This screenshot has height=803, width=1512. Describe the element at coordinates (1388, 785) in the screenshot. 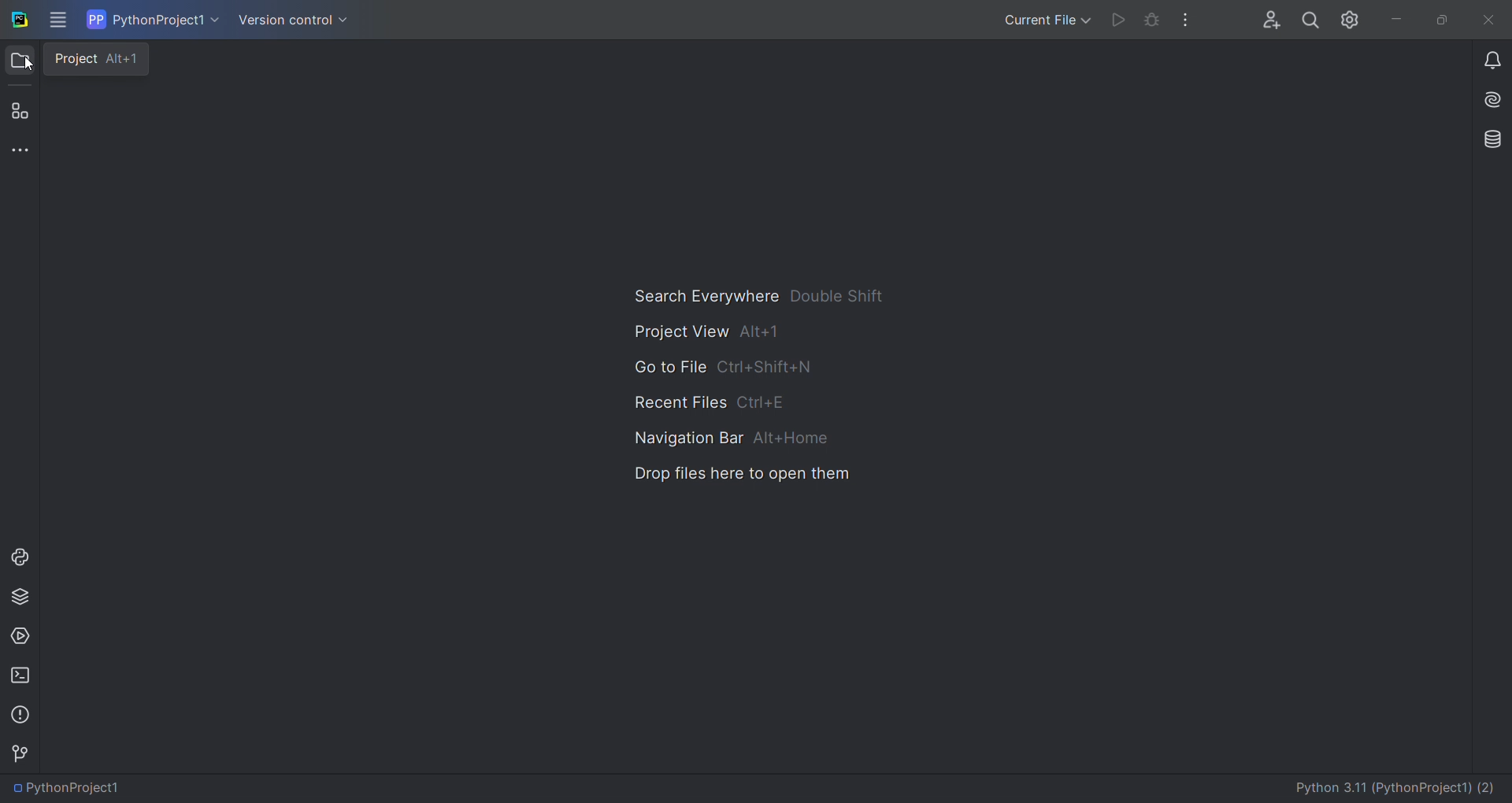

I see `Python 3.11 (PythonProject1)(2)` at that location.